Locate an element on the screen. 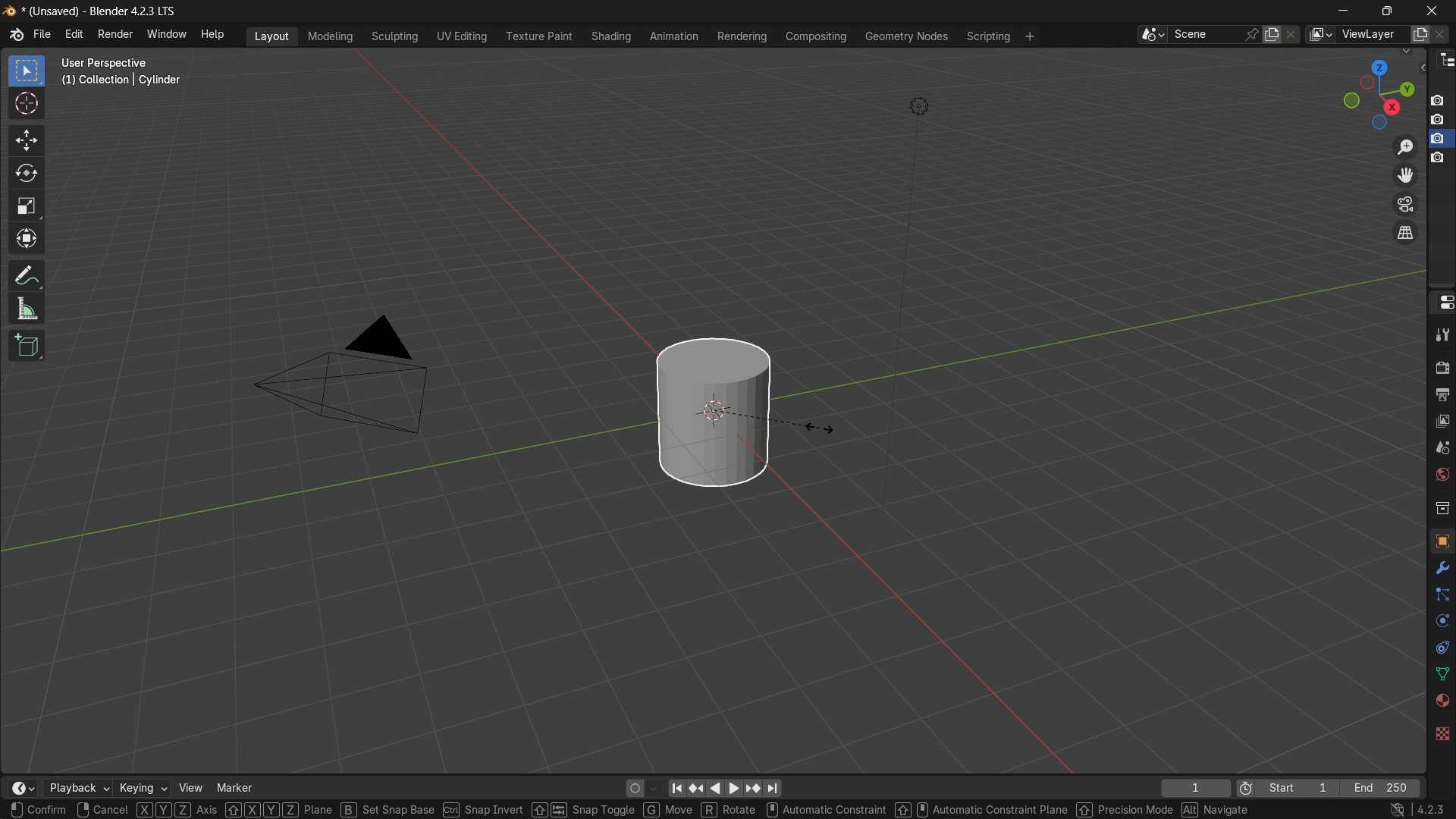  outliner is located at coordinates (1443, 63).